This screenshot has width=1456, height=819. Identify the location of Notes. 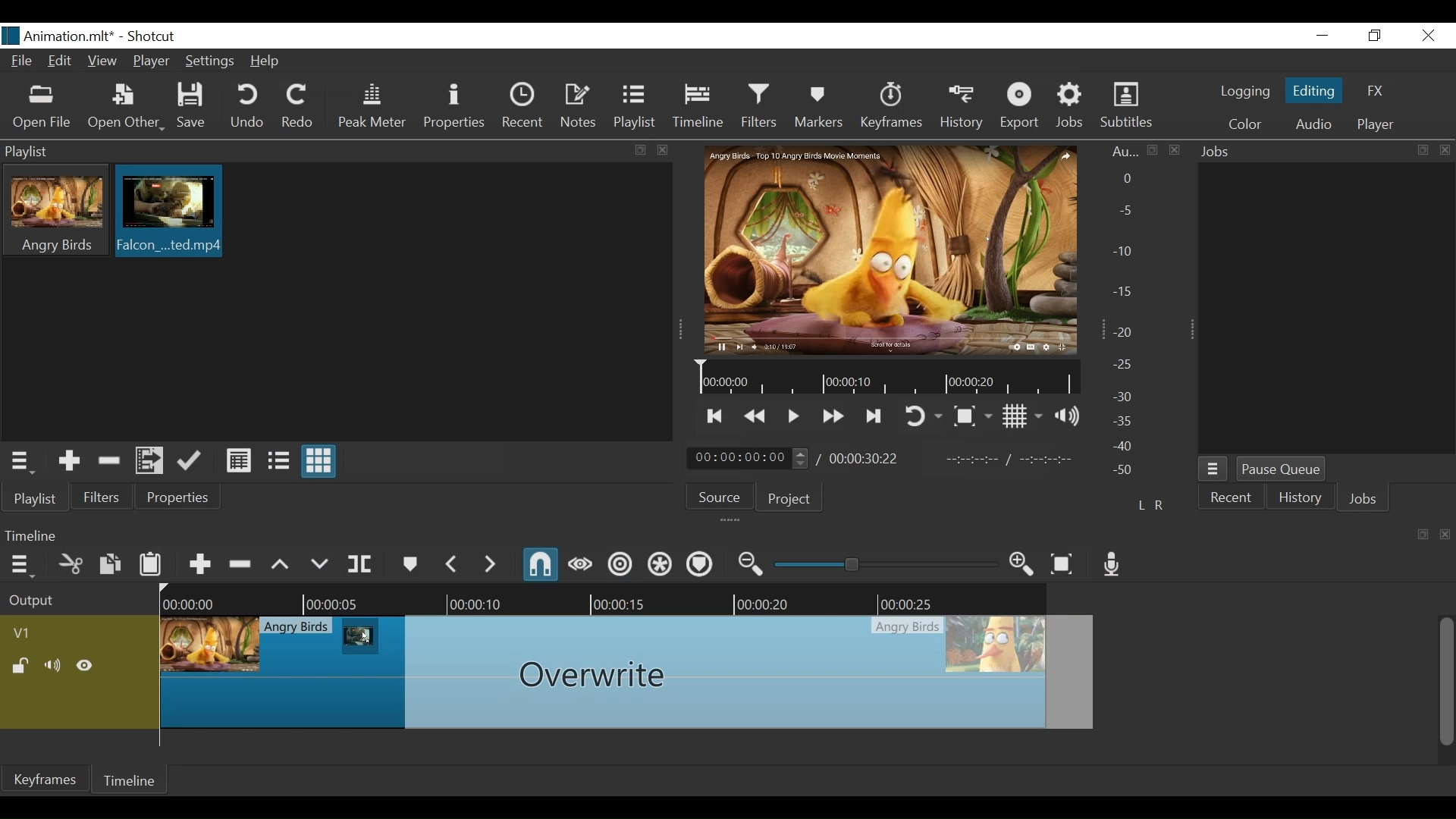
(579, 106).